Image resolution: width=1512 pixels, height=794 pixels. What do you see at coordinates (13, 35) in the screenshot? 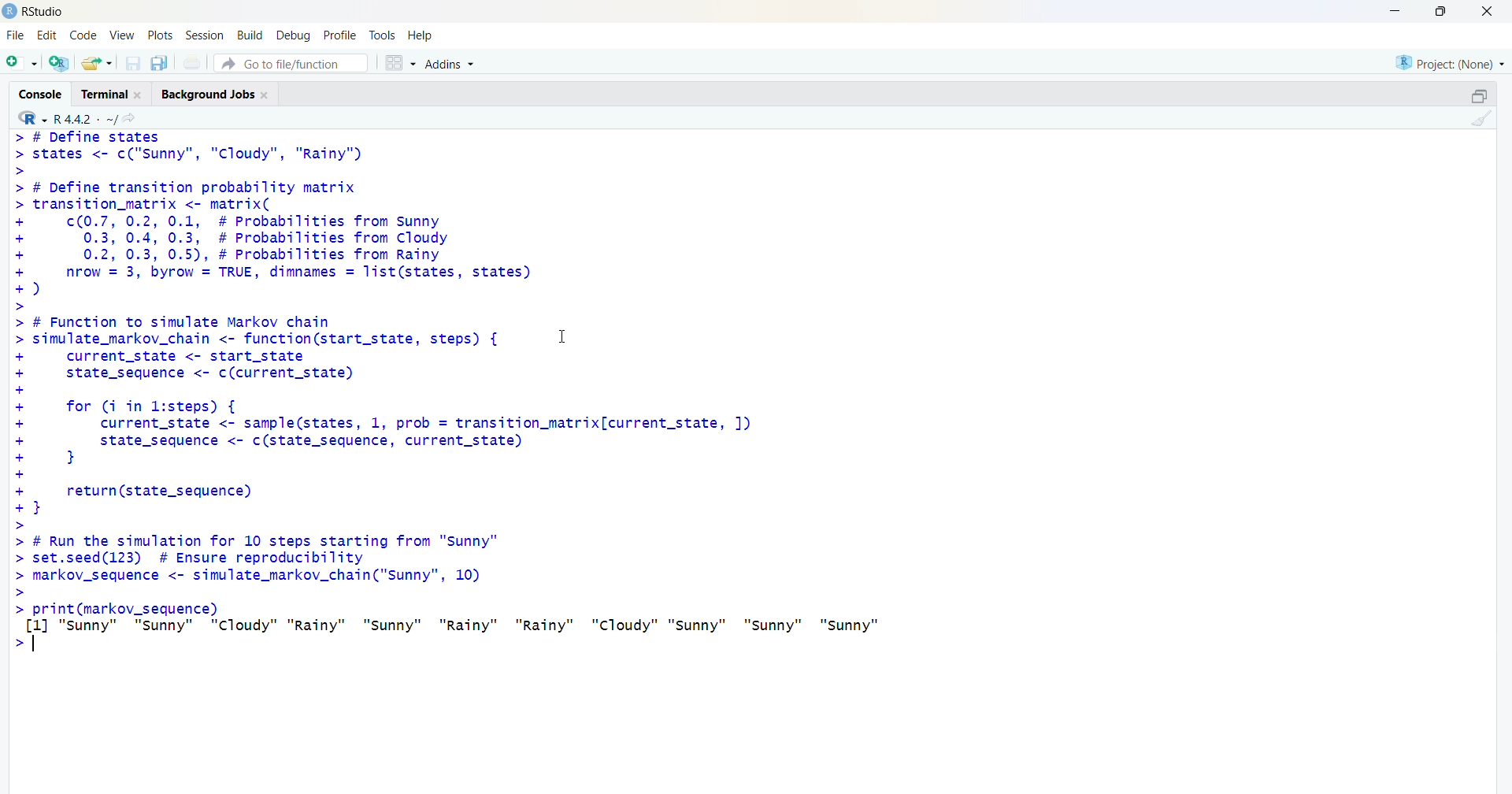
I see `file` at bounding box center [13, 35].